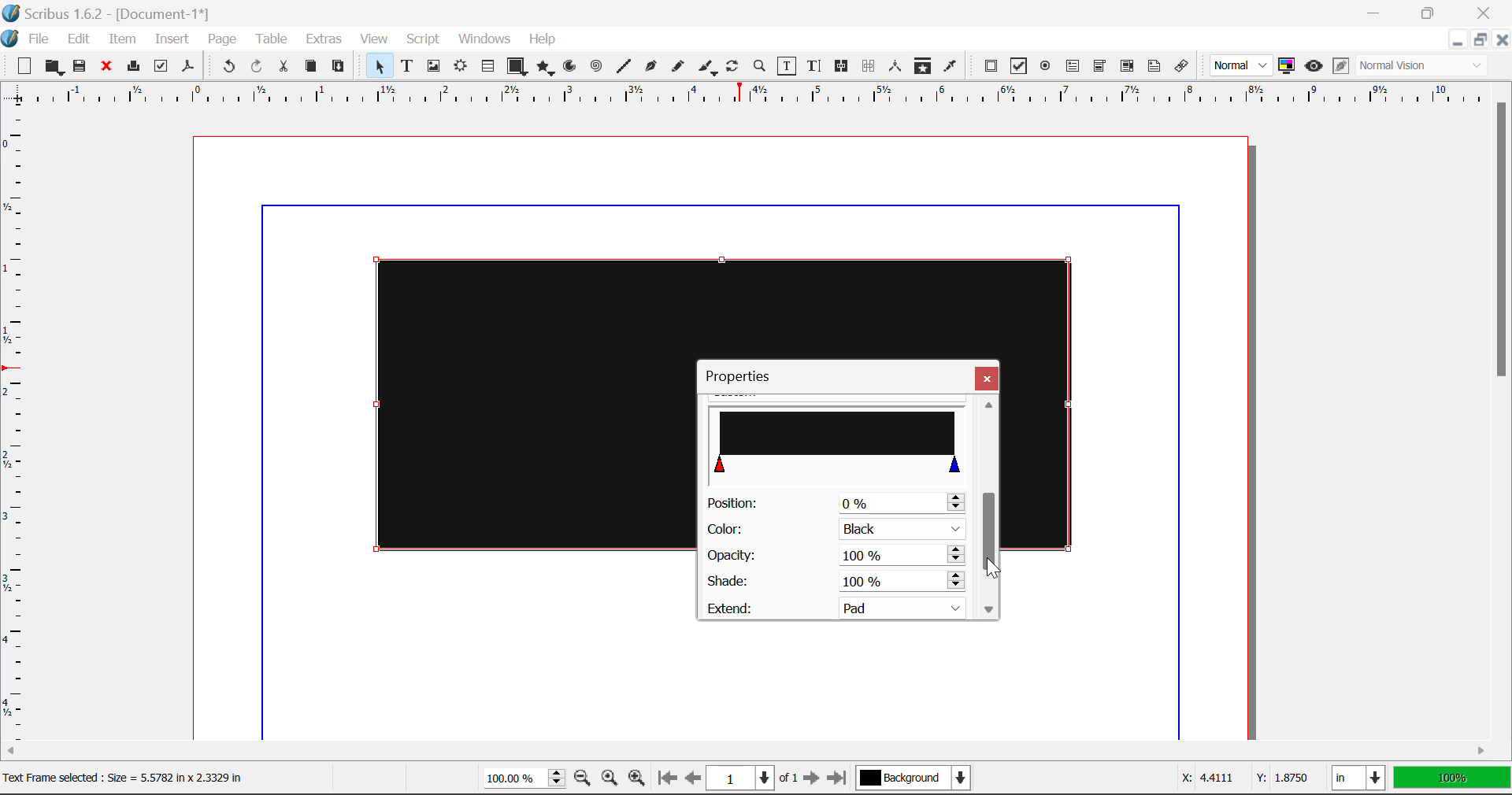  I want to click on Scroll Bar, so click(1503, 411).